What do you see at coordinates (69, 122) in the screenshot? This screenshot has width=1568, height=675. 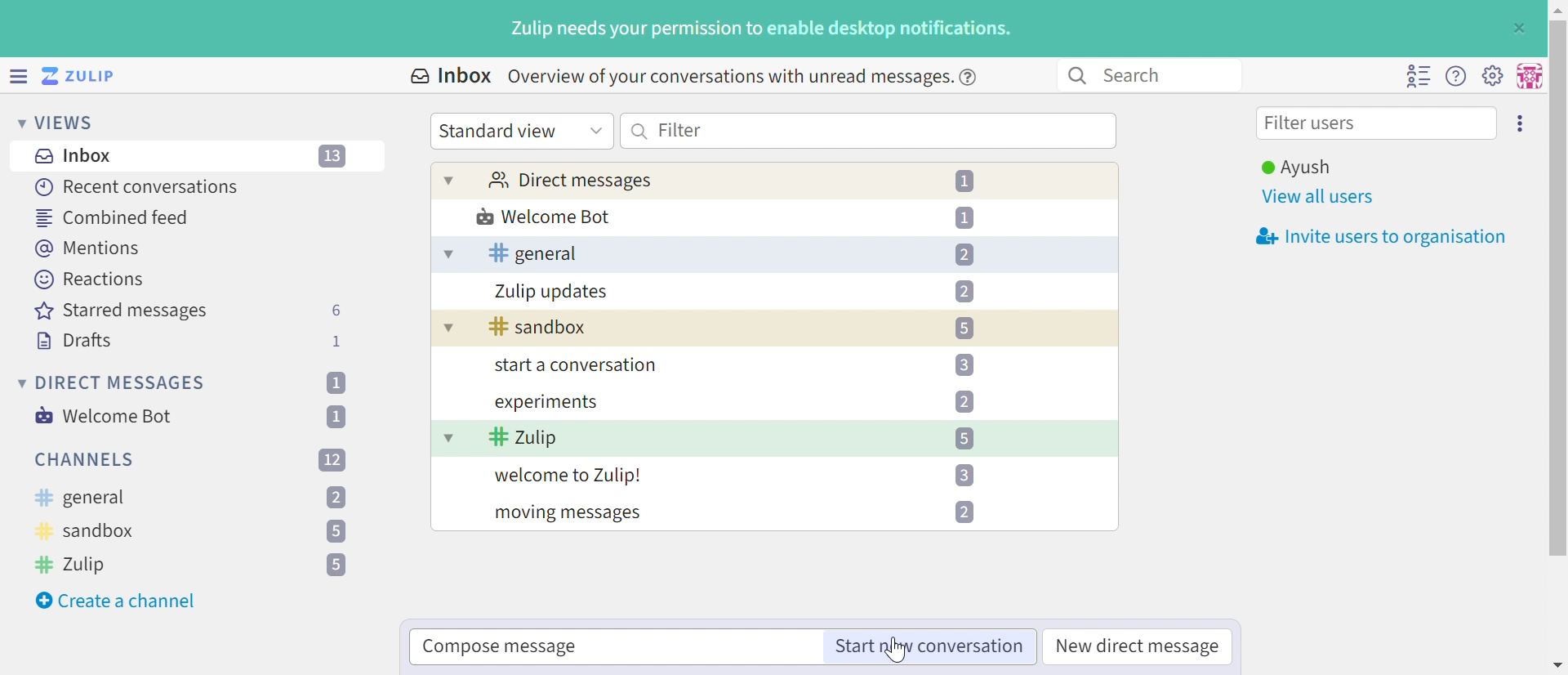 I see `VIEWS` at bounding box center [69, 122].